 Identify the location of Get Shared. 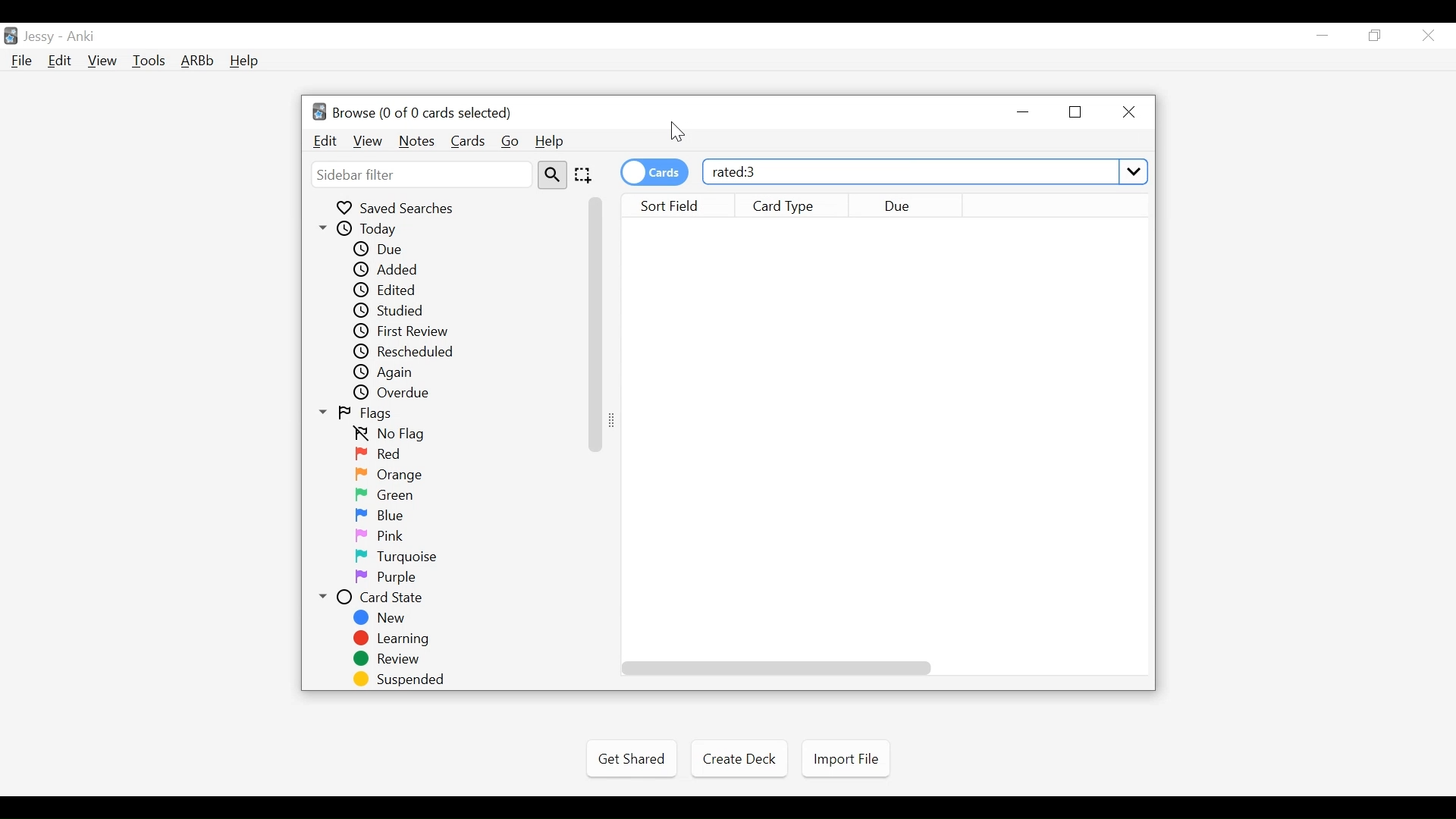
(632, 758).